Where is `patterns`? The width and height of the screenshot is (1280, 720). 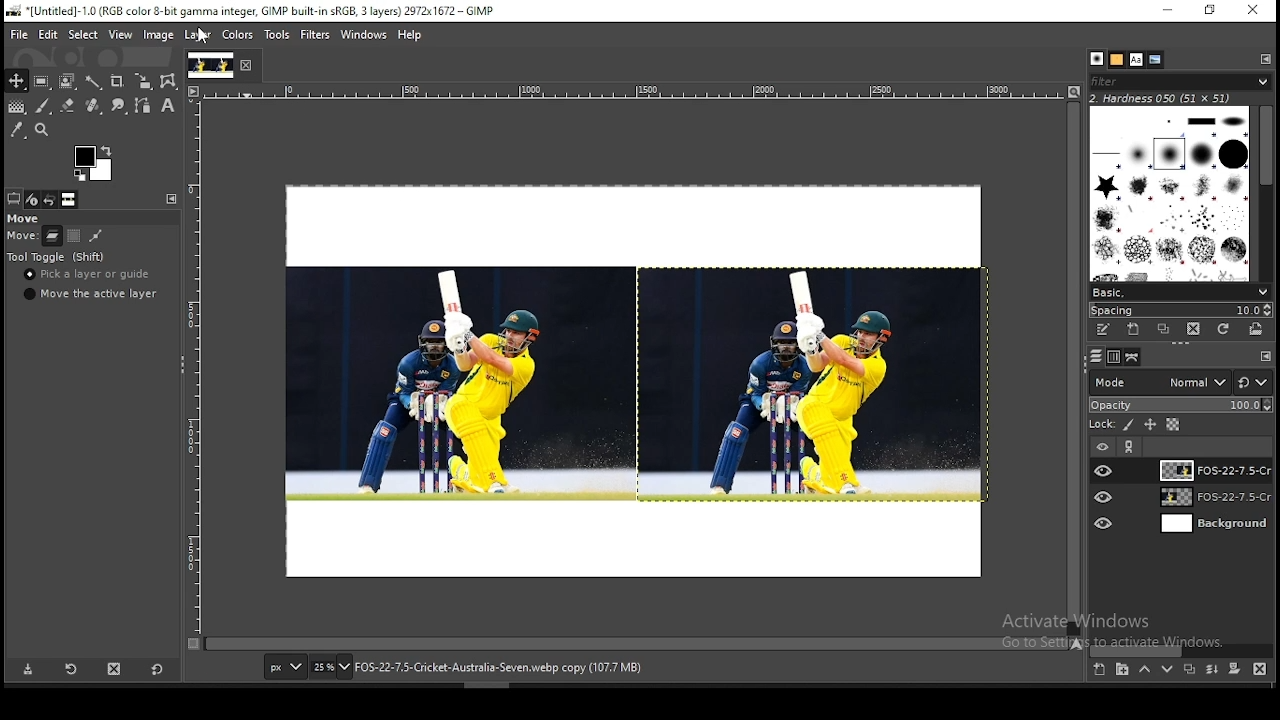
patterns is located at coordinates (1117, 59).